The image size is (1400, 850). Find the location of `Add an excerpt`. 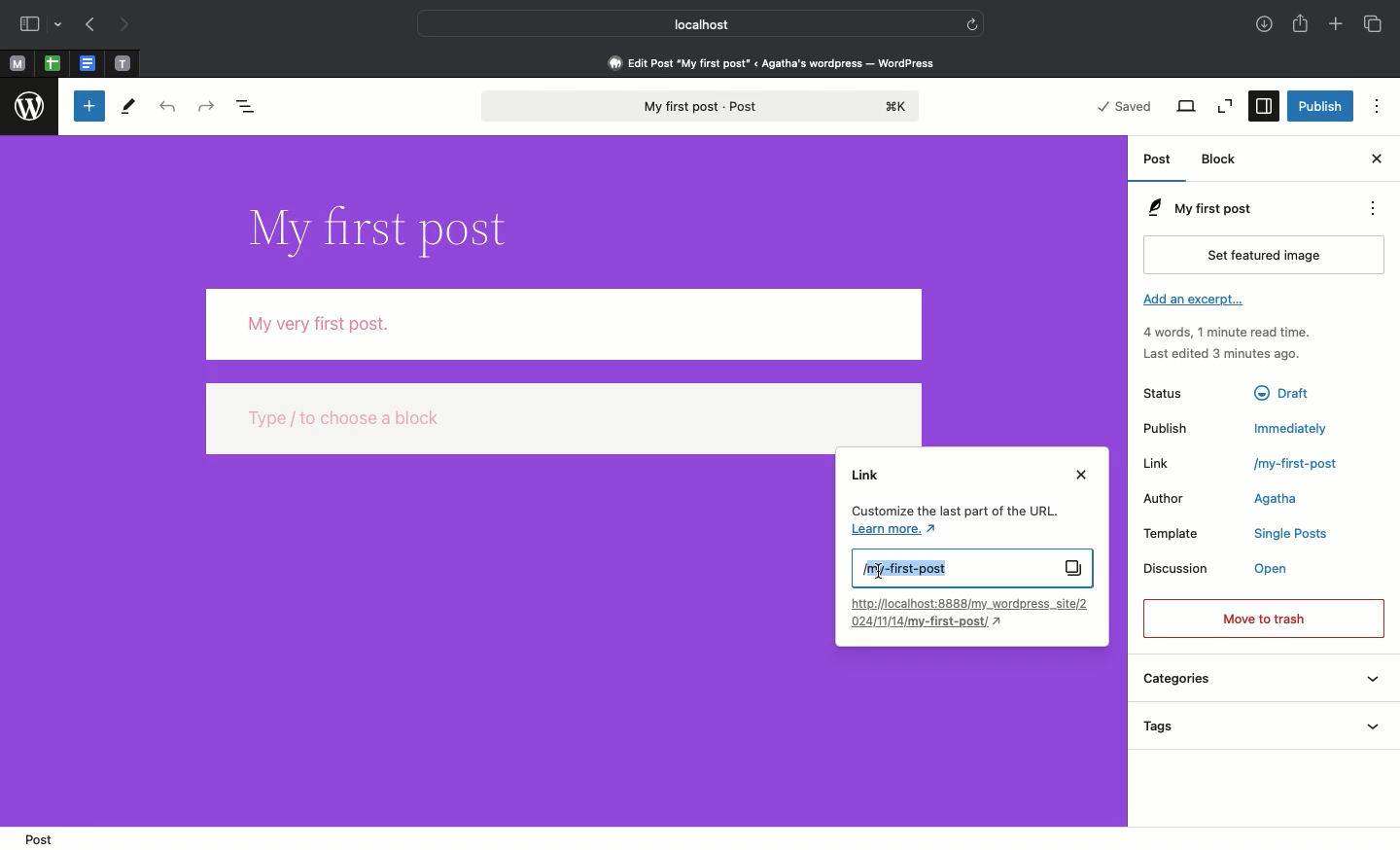

Add an excerpt is located at coordinates (1191, 300).